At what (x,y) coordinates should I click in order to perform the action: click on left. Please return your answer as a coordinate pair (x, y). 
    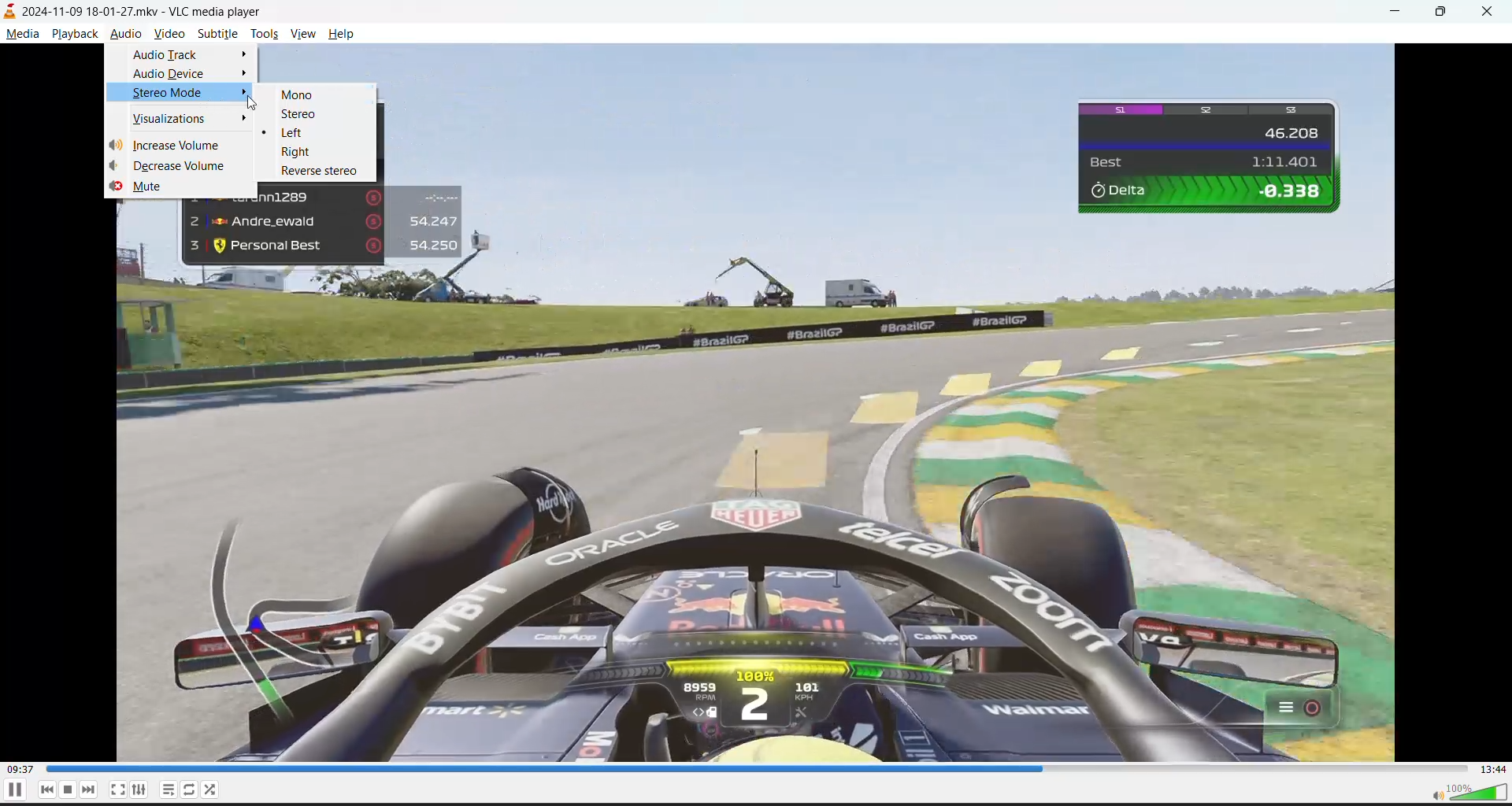
    Looking at the image, I should click on (307, 133).